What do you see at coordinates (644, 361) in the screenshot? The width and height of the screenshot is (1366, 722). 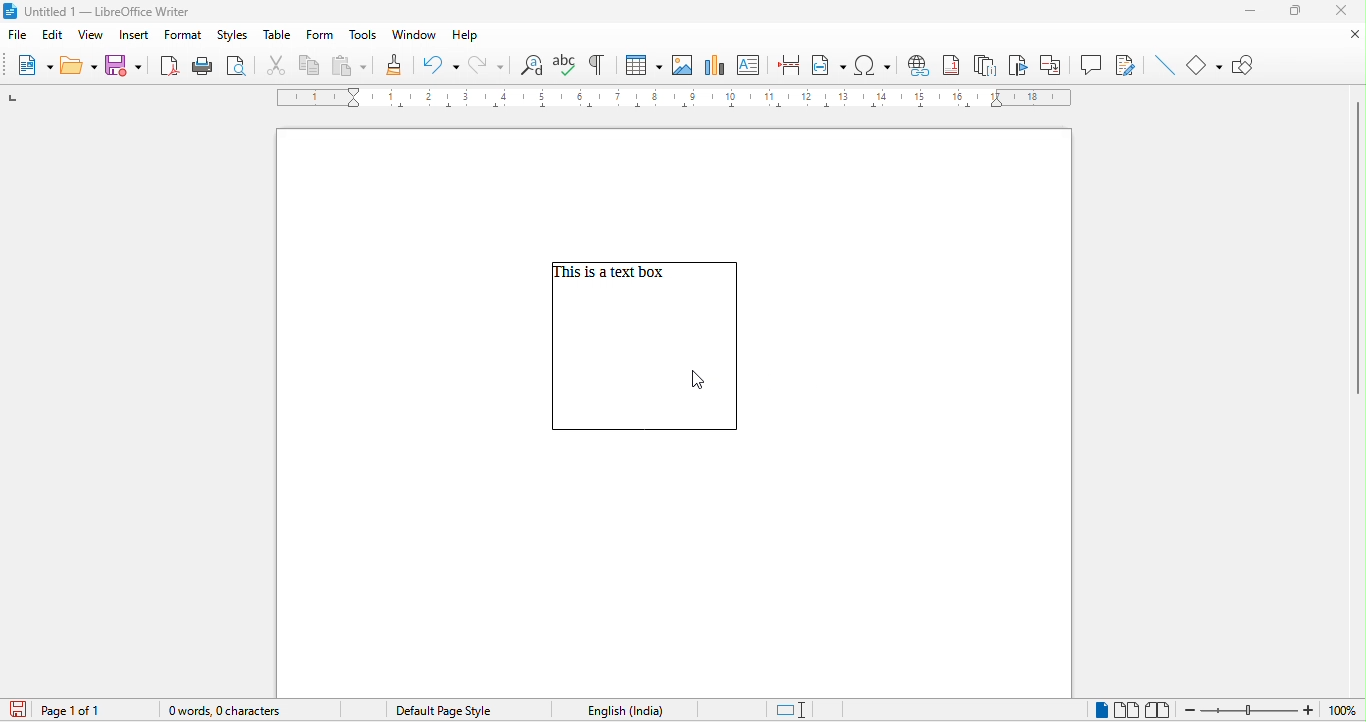 I see `text box ` at bounding box center [644, 361].